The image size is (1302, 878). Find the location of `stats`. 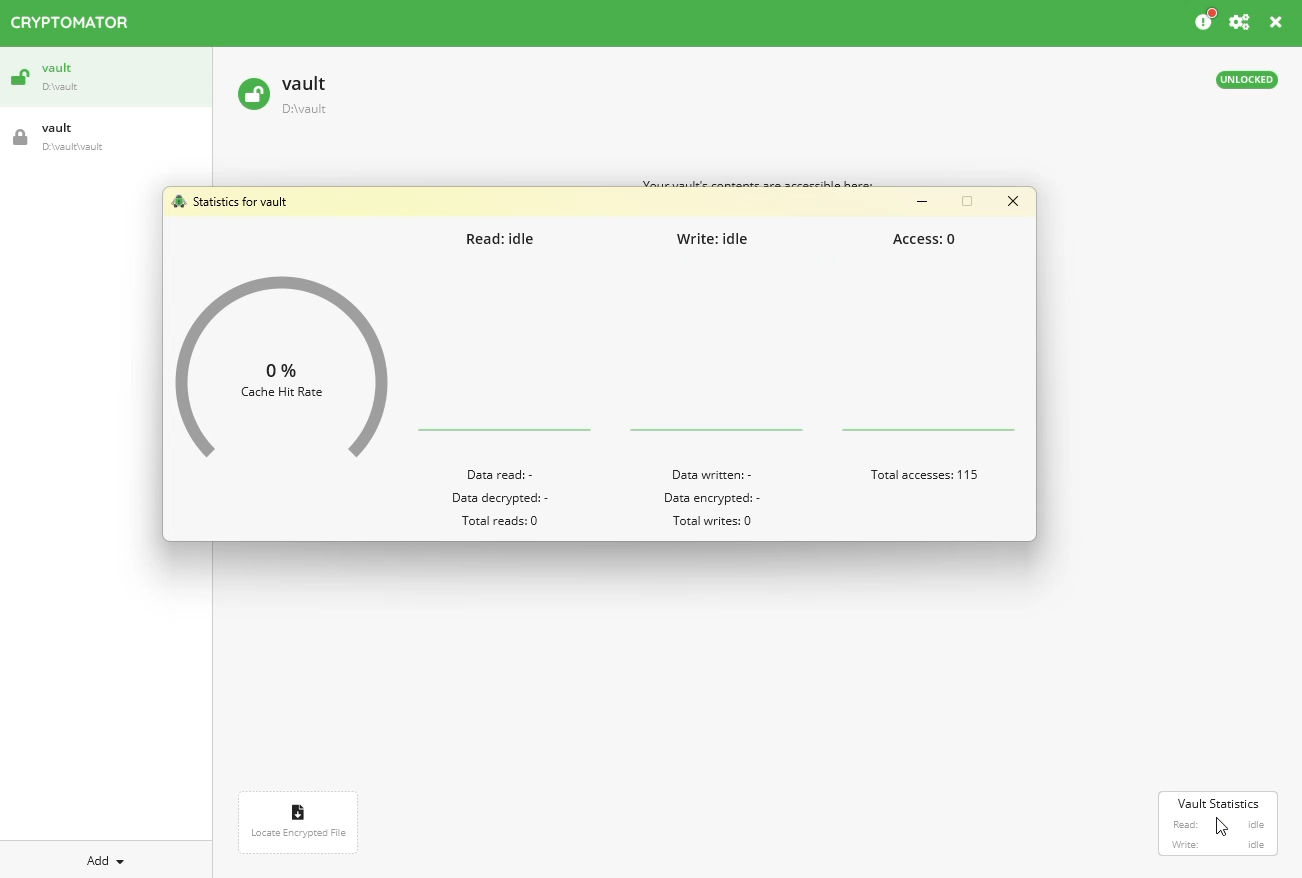

stats is located at coordinates (231, 200).